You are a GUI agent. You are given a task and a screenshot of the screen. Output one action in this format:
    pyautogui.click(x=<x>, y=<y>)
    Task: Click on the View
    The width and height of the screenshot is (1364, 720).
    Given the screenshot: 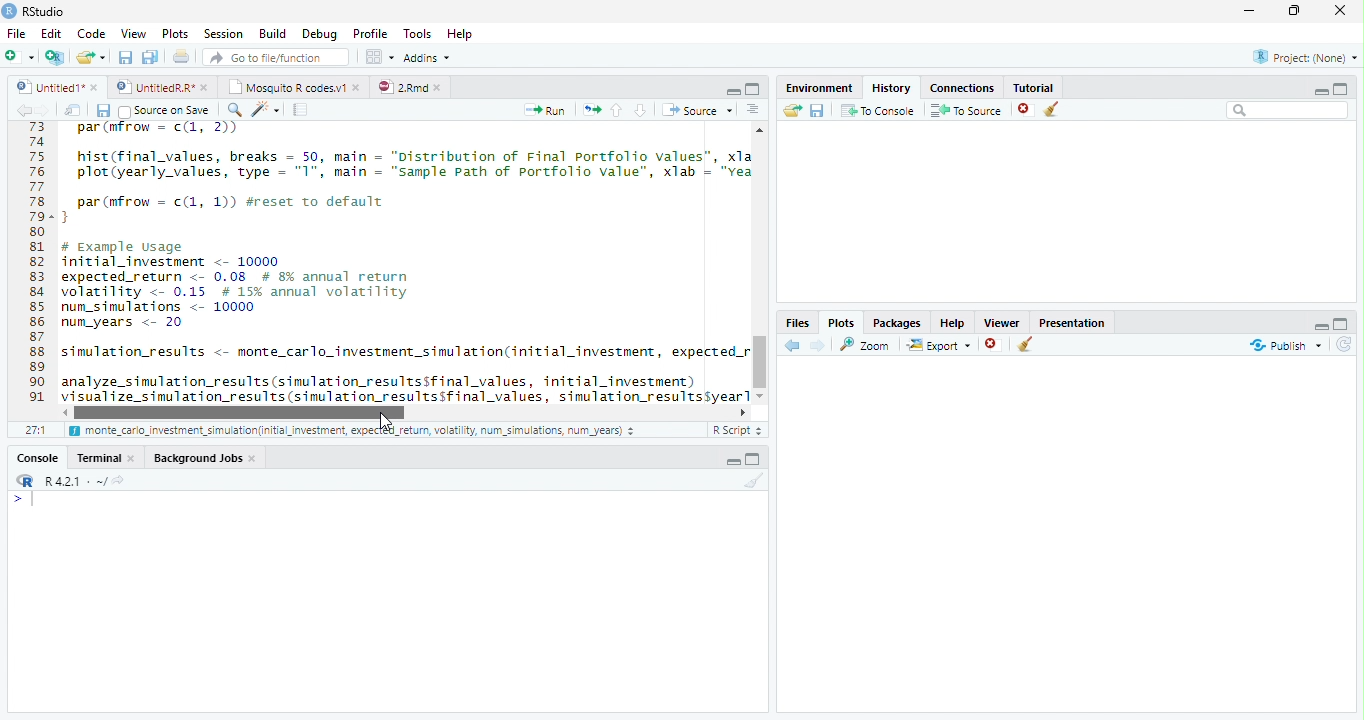 What is the action you would take?
    pyautogui.click(x=132, y=32)
    